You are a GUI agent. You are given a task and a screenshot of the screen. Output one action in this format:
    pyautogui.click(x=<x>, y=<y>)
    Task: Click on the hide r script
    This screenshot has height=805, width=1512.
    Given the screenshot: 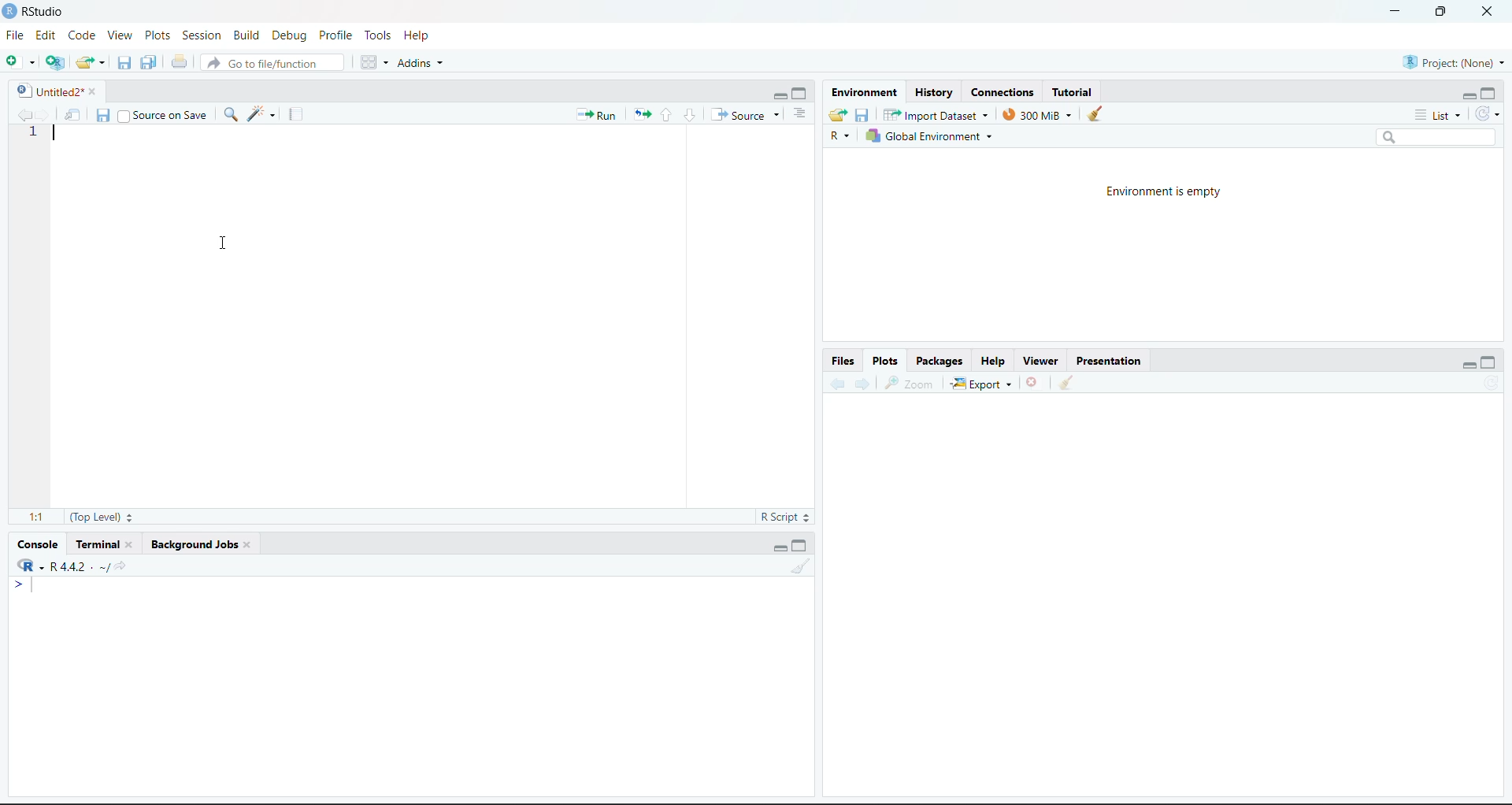 What is the action you would take?
    pyautogui.click(x=1469, y=362)
    